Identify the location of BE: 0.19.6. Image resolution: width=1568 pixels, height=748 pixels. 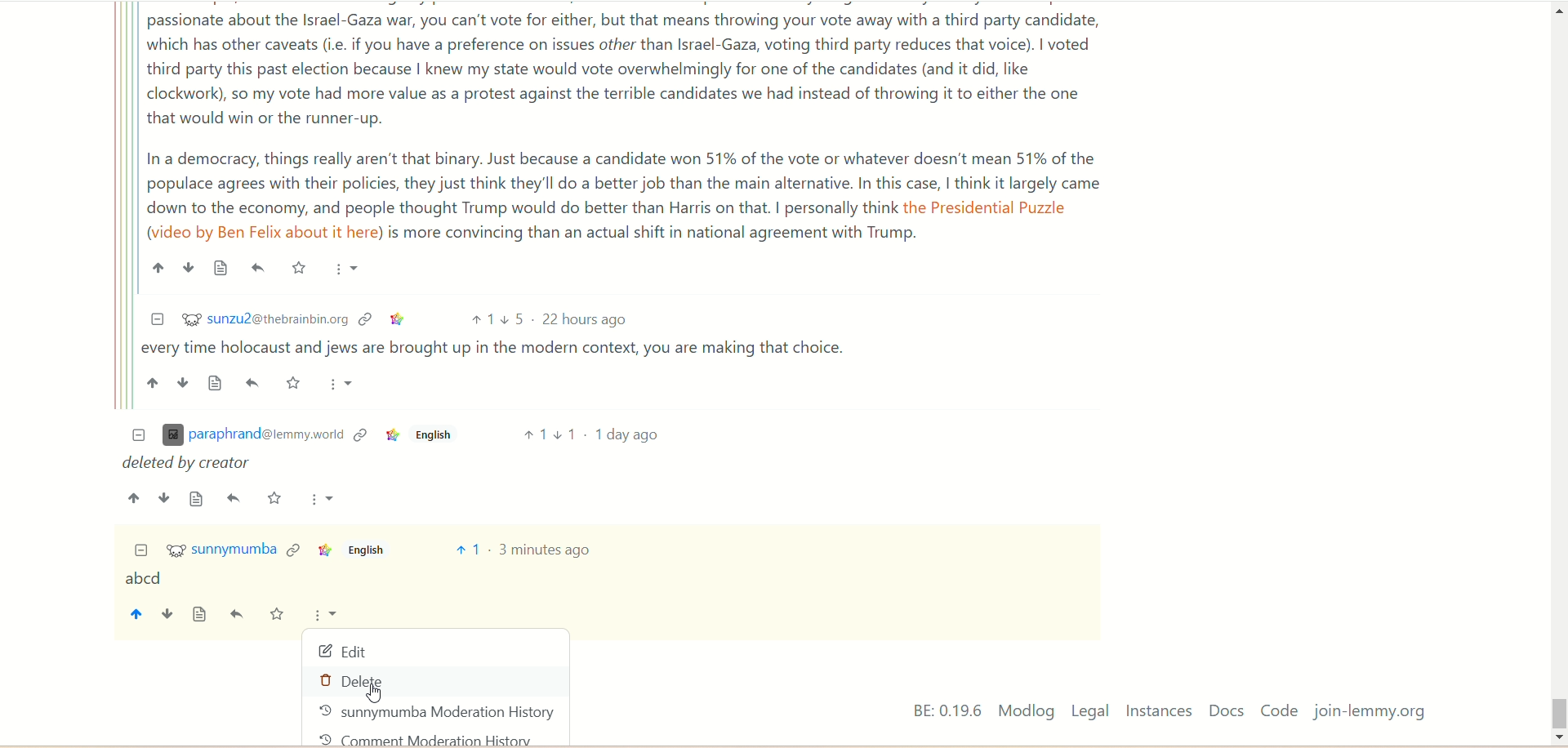
(947, 710).